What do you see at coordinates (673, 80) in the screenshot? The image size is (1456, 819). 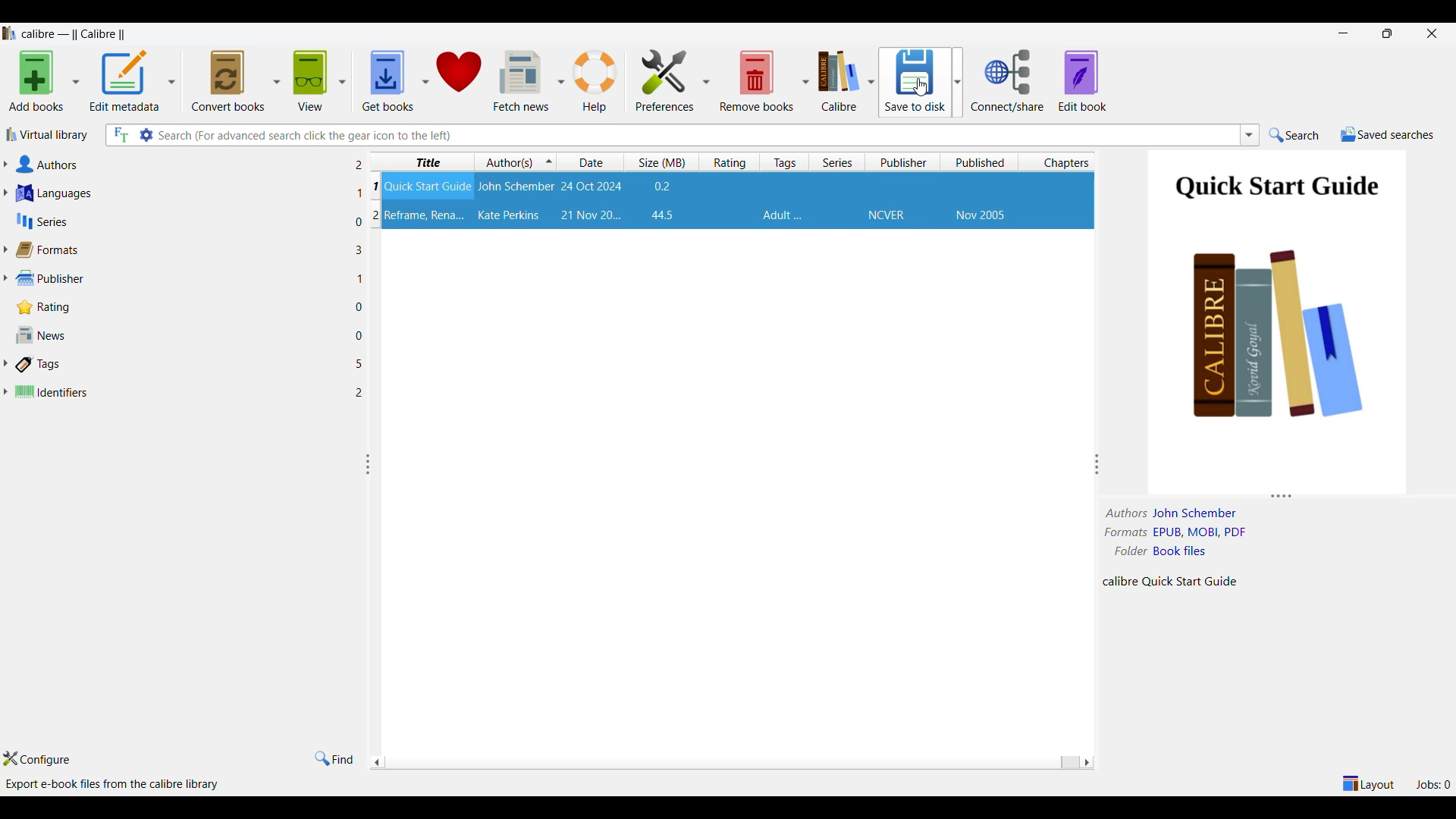 I see `Preference options` at bounding box center [673, 80].